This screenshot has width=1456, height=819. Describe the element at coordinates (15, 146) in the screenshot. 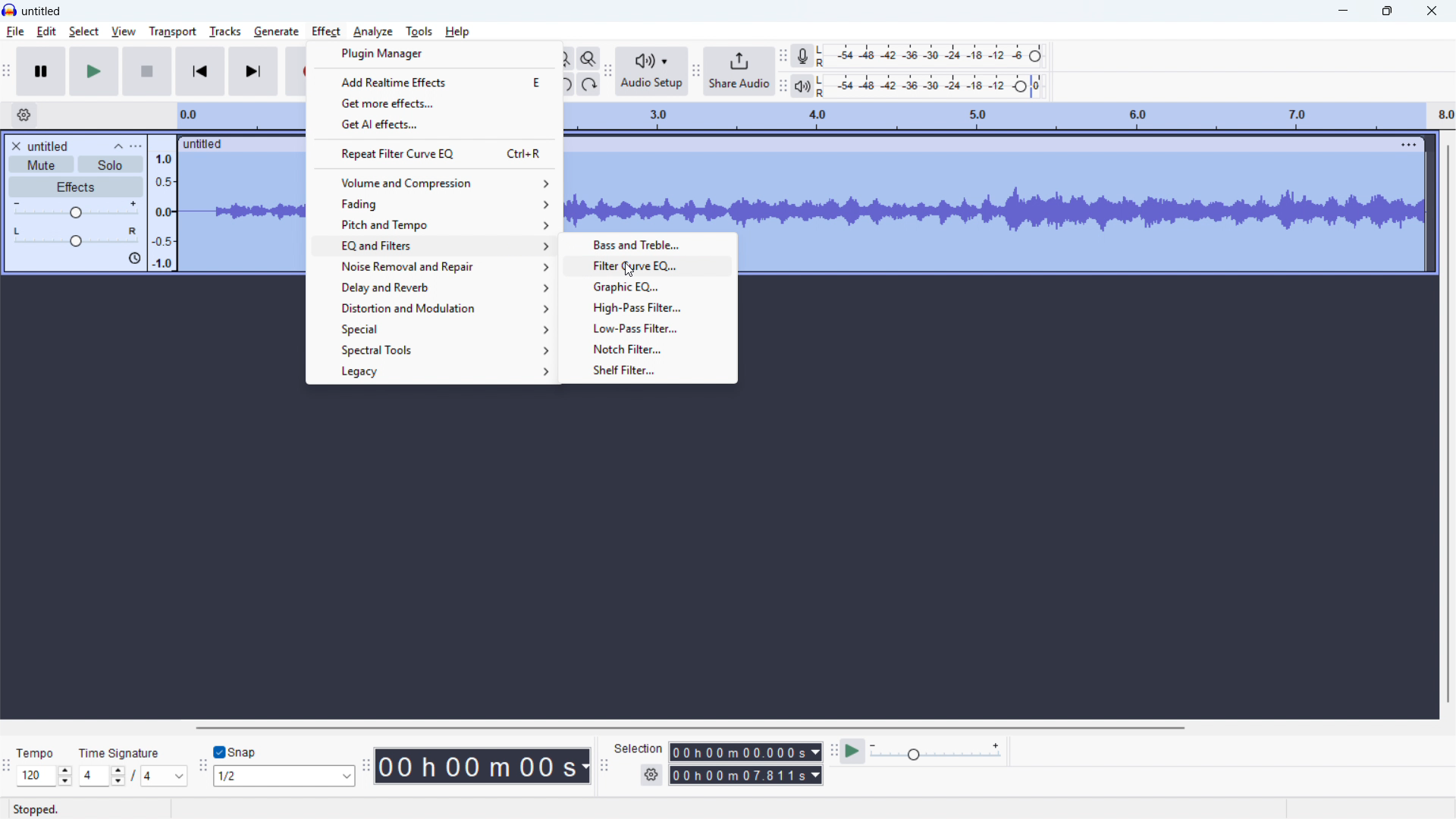

I see `remove track` at that location.